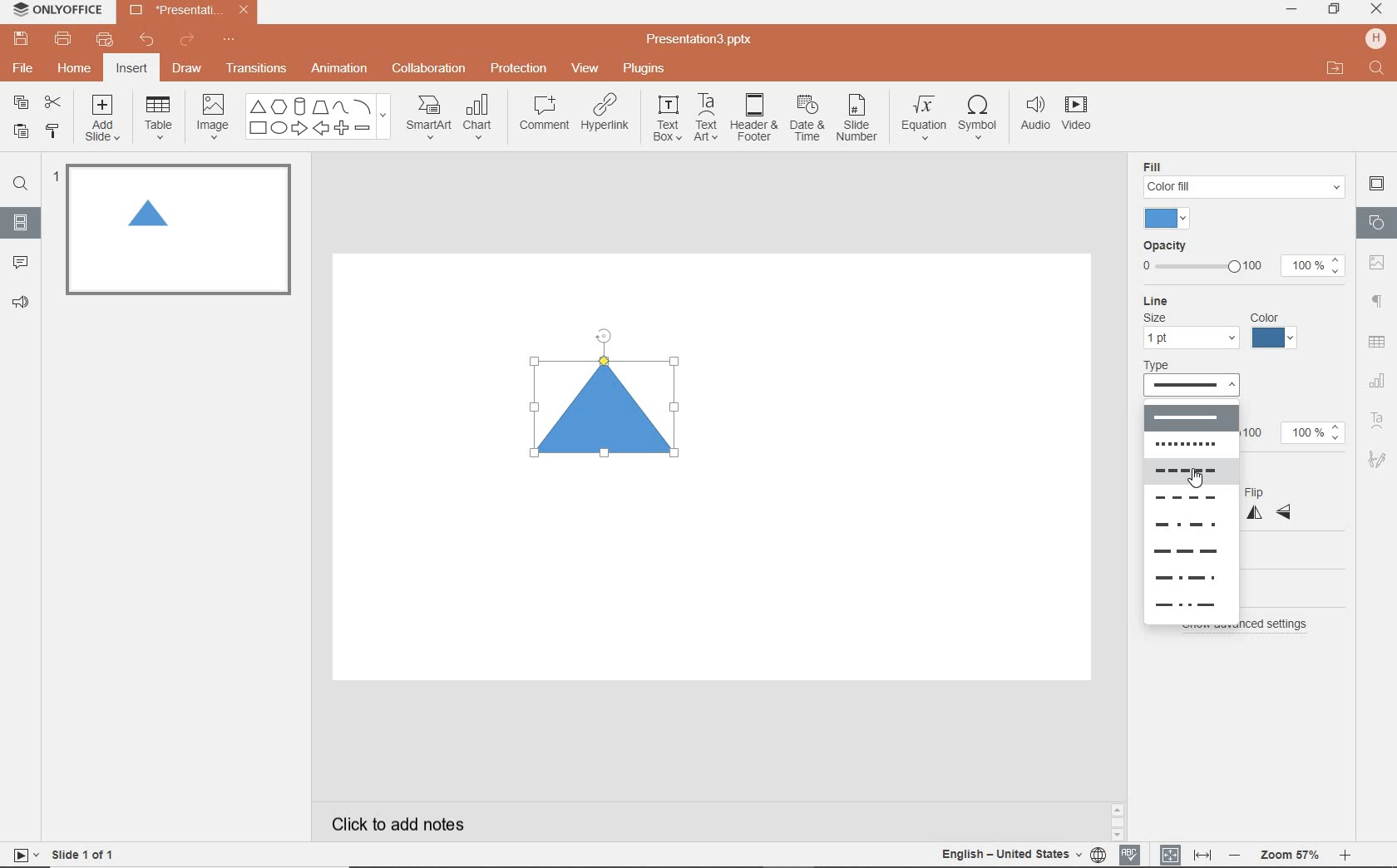 Image resolution: width=1397 pixels, height=868 pixels. What do you see at coordinates (25, 66) in the screenshot?
I see `FILE` at bounding box center [25, 66].